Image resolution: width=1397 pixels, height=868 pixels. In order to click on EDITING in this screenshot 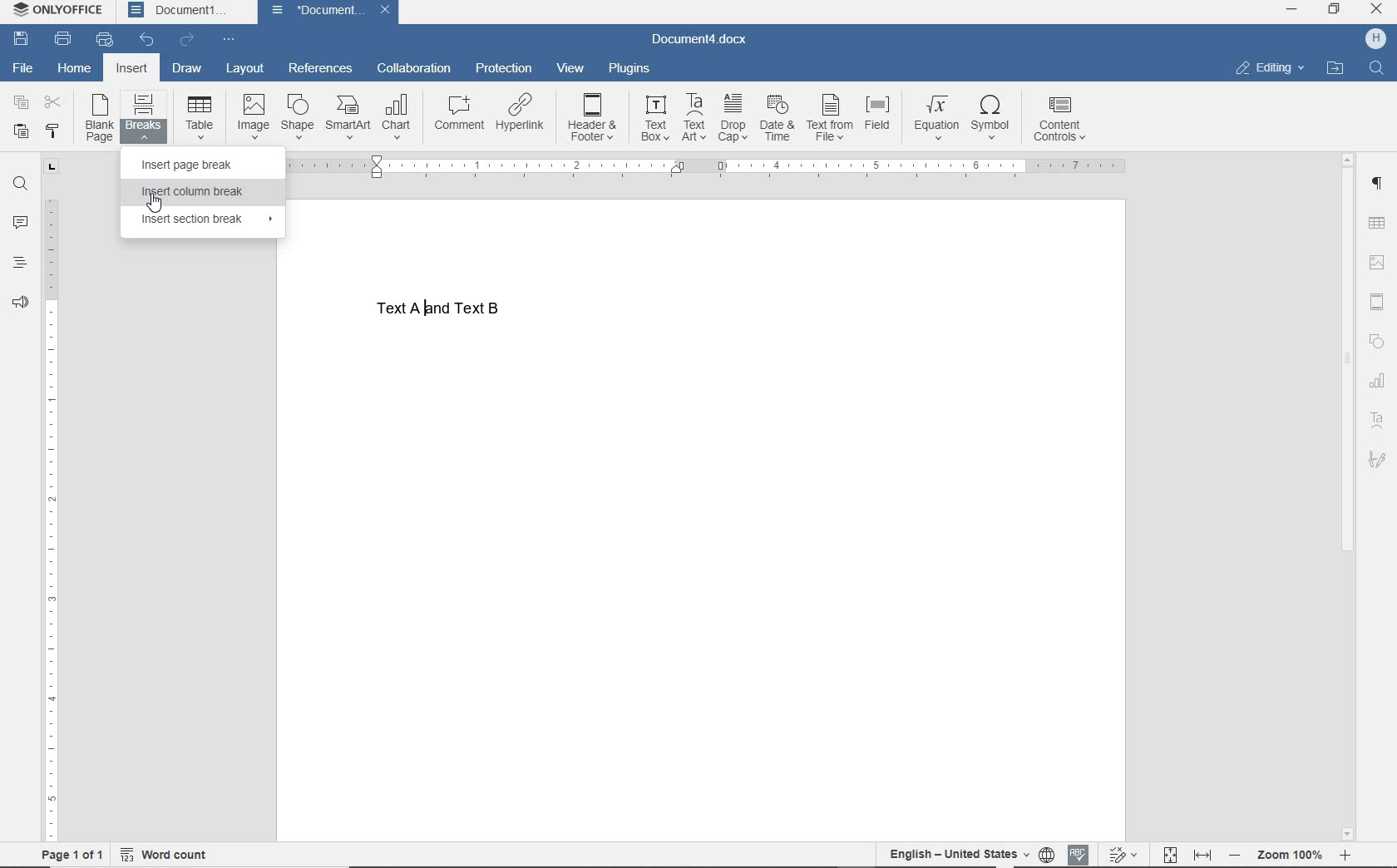, I will do `click(1270, 69)`.